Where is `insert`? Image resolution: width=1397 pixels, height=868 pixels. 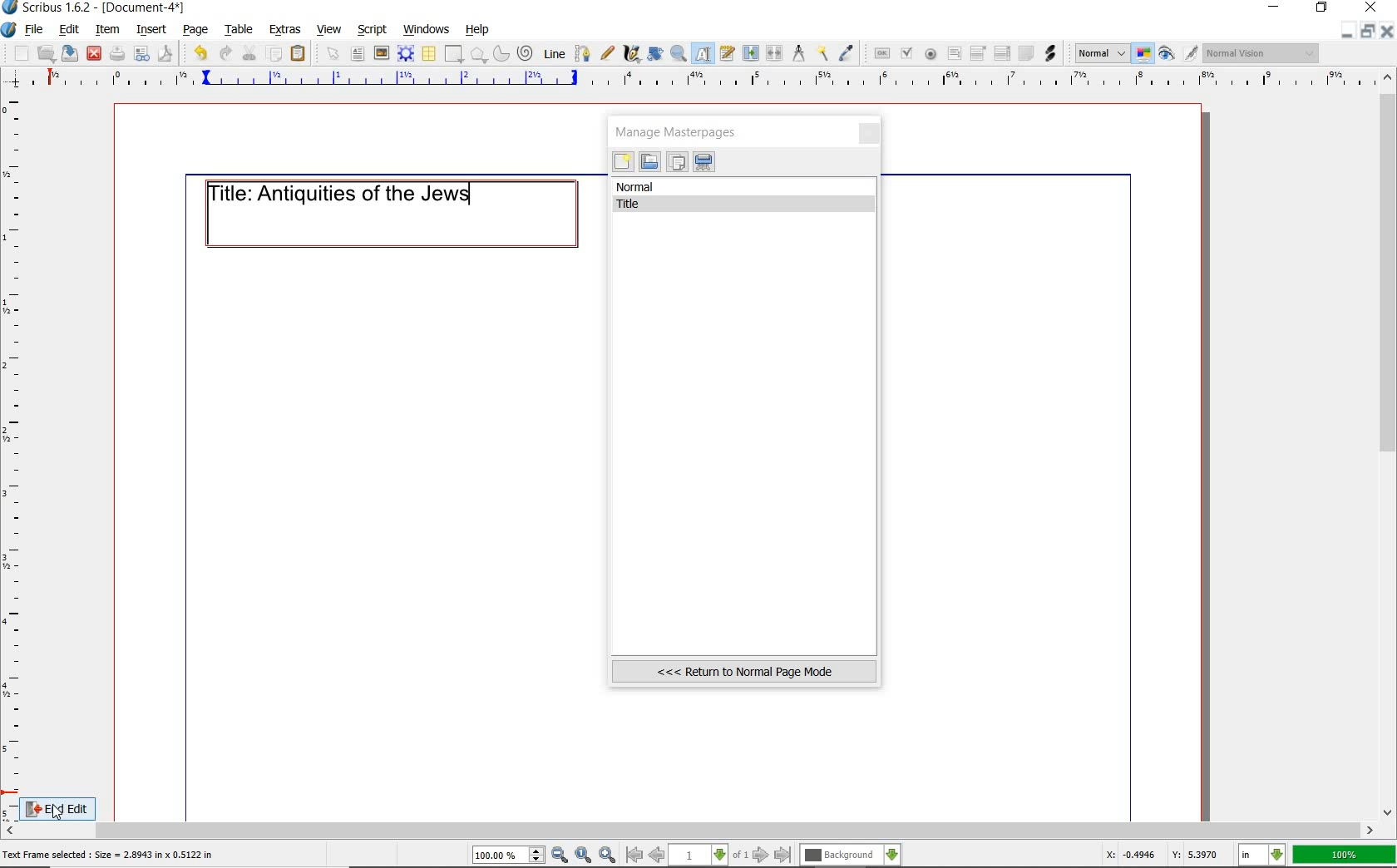
insert is located at coordinates (151, 29).